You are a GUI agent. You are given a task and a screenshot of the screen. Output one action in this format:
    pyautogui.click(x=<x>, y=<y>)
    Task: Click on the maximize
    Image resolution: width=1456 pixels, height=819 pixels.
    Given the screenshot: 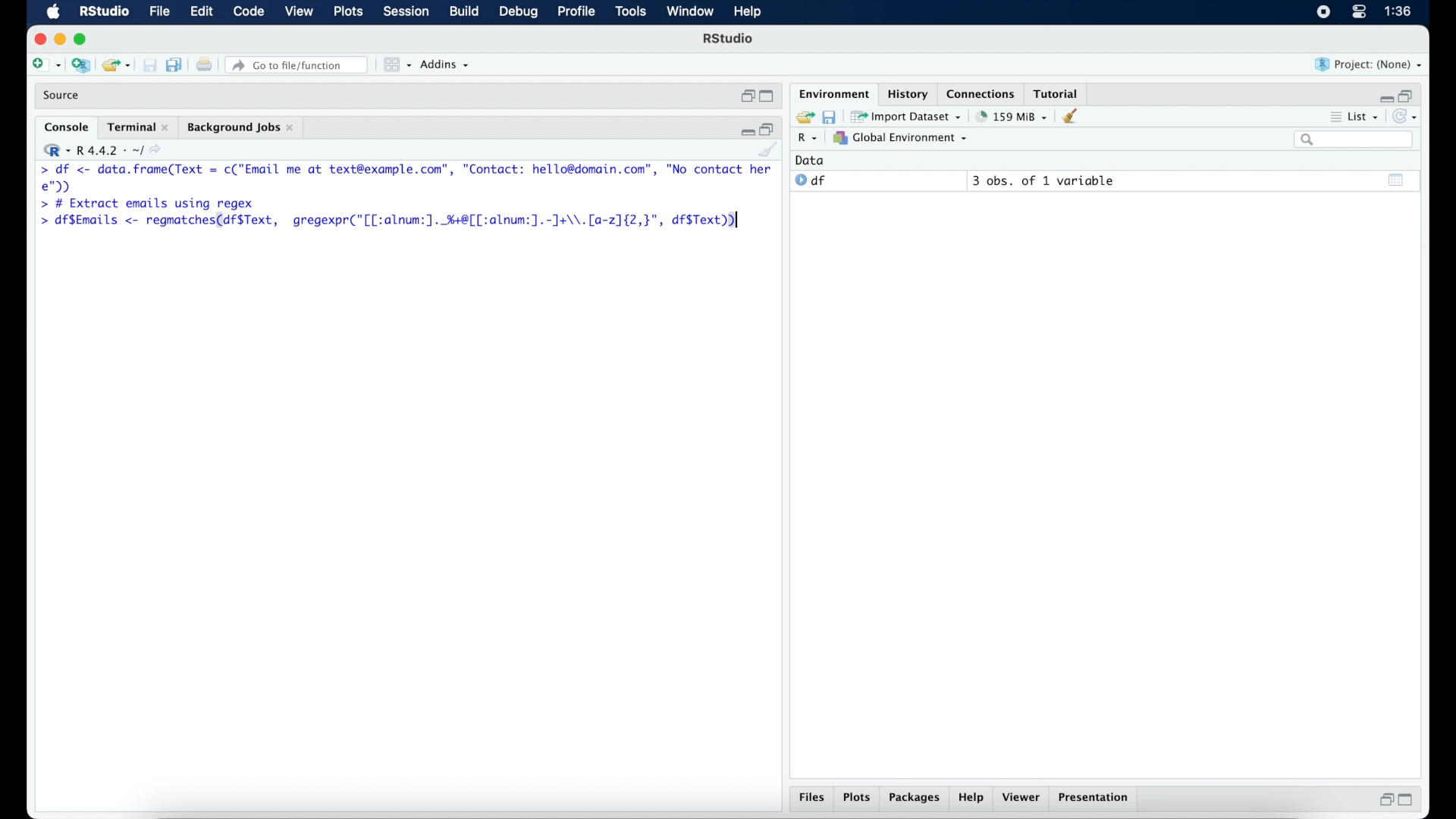 What is the action you would take?
    pyautogui.click(x=766, y=96)
    